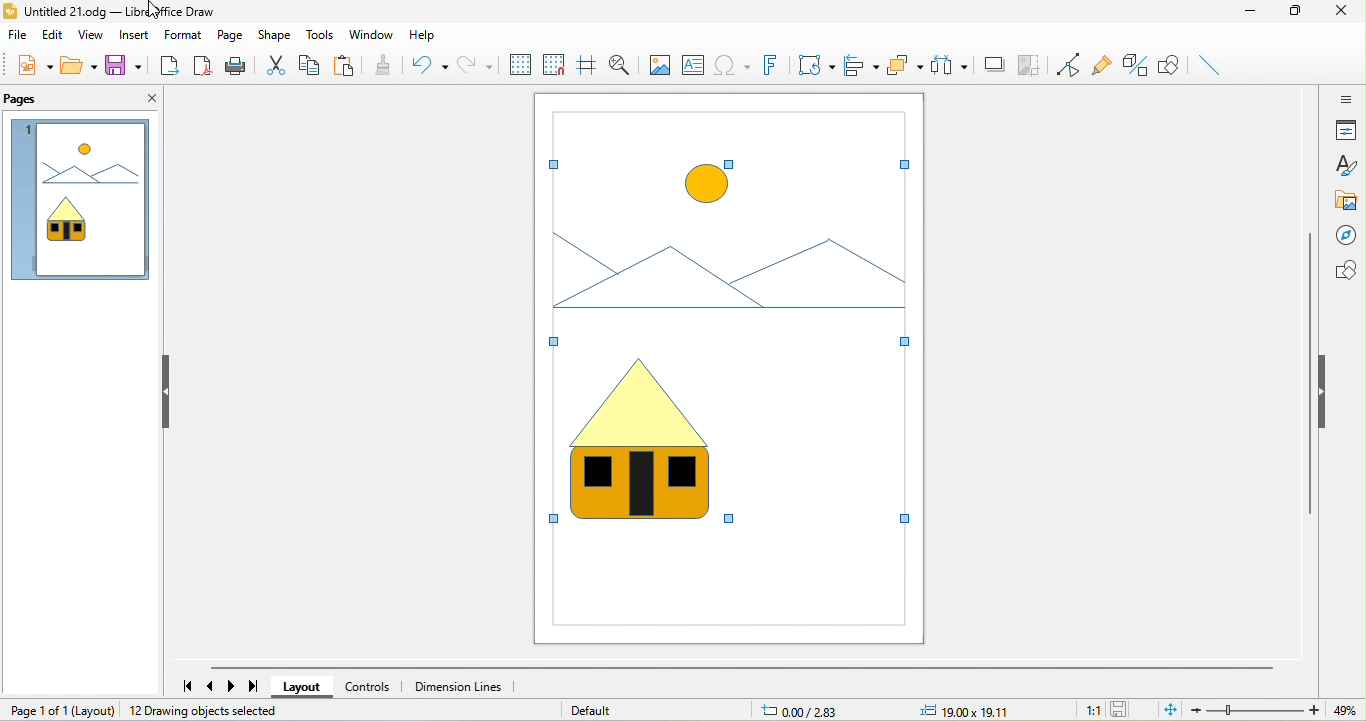  I want to click on display grid, so click(523, 65).